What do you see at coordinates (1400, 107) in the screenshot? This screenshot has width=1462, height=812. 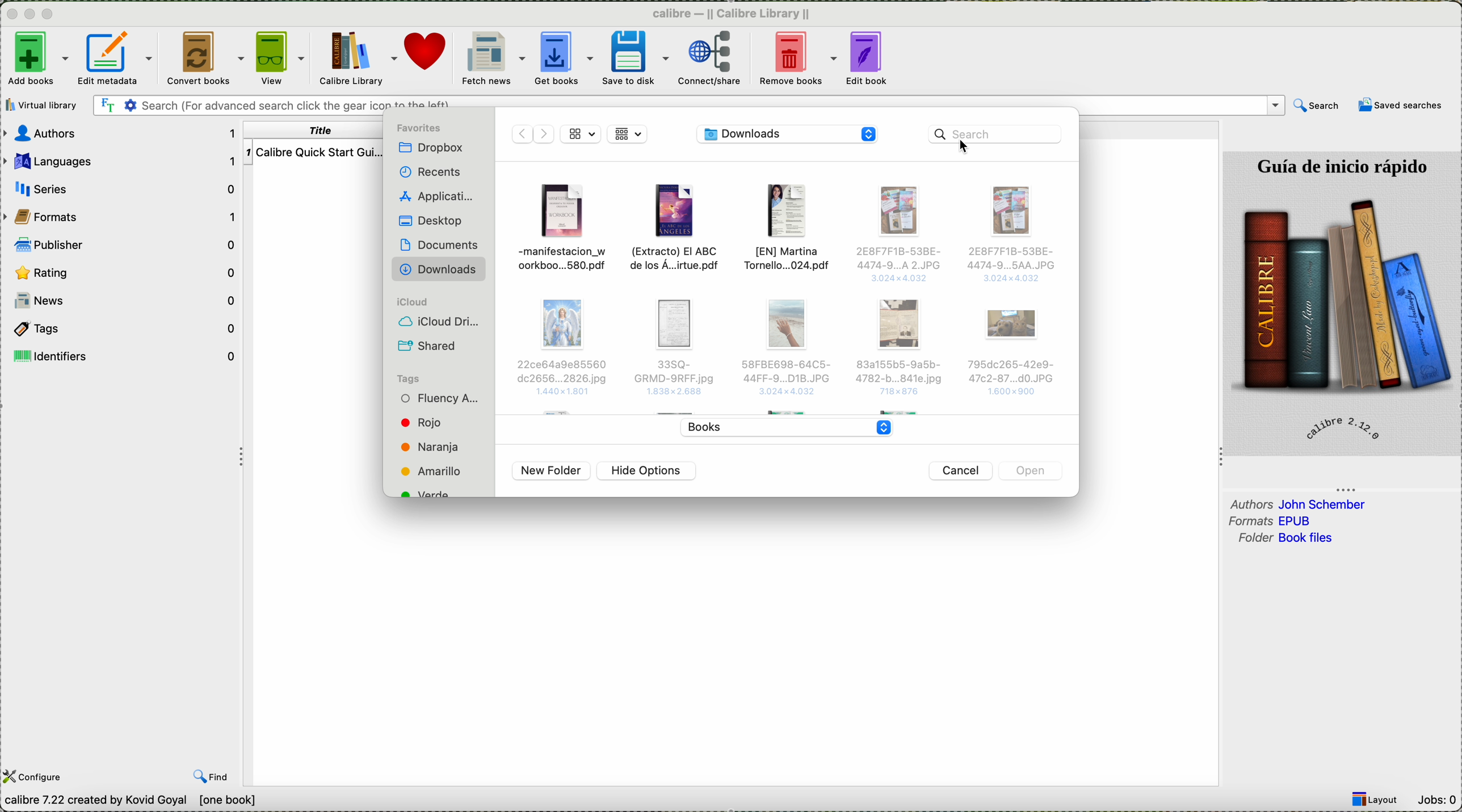 I see `saved searches` at bounding box center [1400, 107].